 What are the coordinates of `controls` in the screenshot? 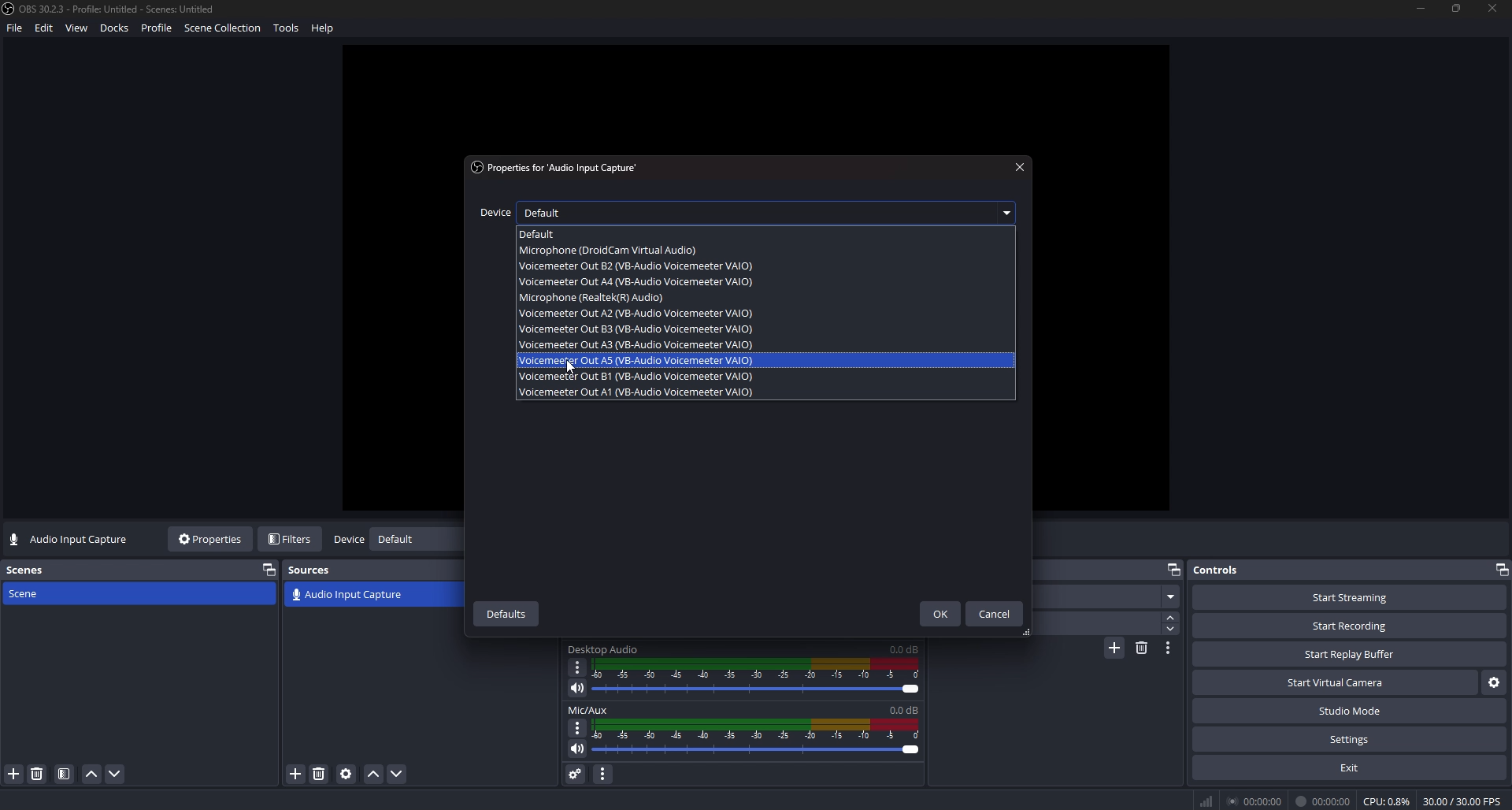 It's located at (1231, 570).